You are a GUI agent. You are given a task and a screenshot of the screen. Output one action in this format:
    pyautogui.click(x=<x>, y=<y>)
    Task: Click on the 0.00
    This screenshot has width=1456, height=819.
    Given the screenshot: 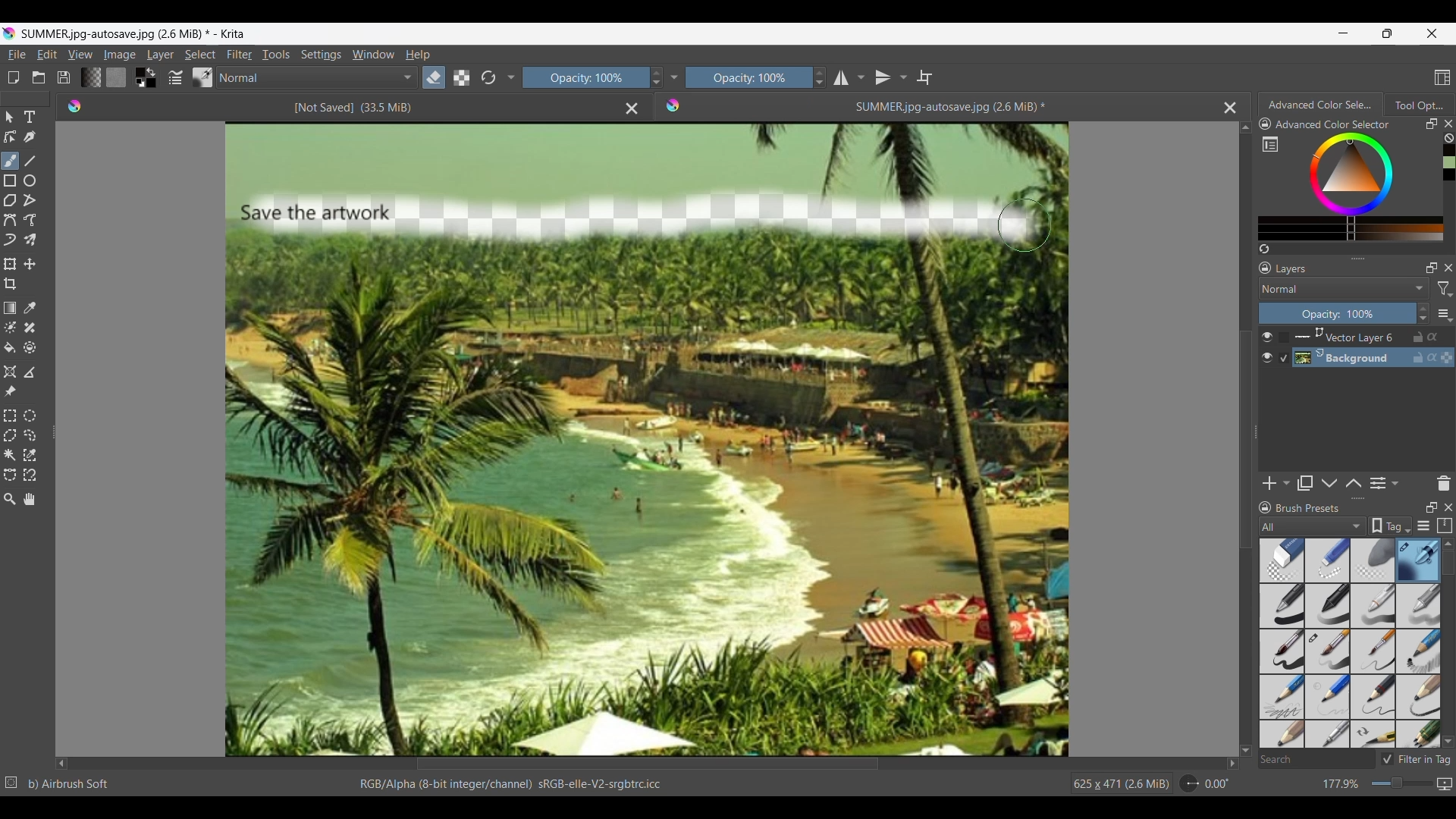 What is the action you would take?
    pyautogui.click(x=1217, y=784)
    